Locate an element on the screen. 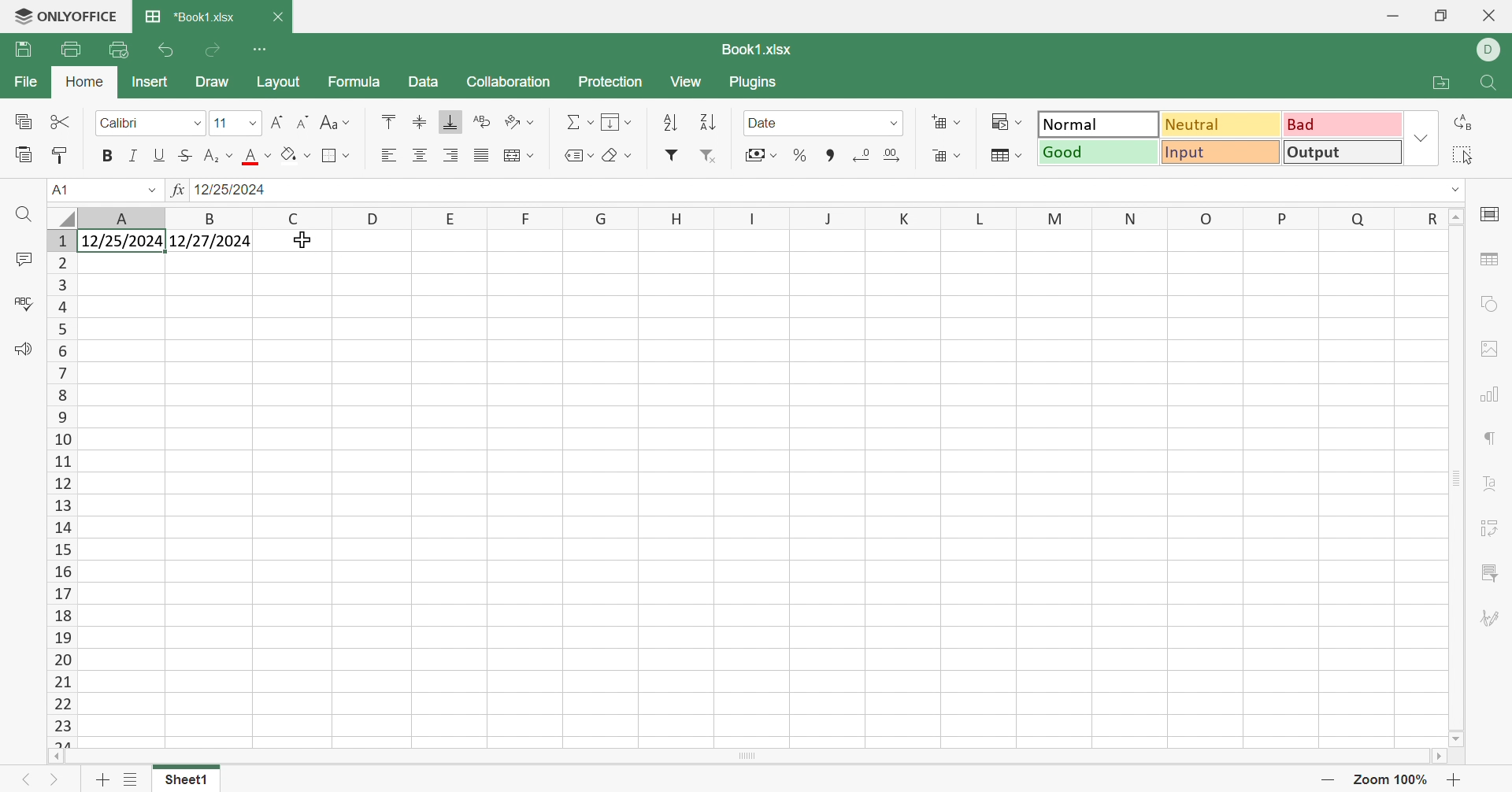 This screenshot has height=792, width=1512. Output is located at coordinates (1341, 151).